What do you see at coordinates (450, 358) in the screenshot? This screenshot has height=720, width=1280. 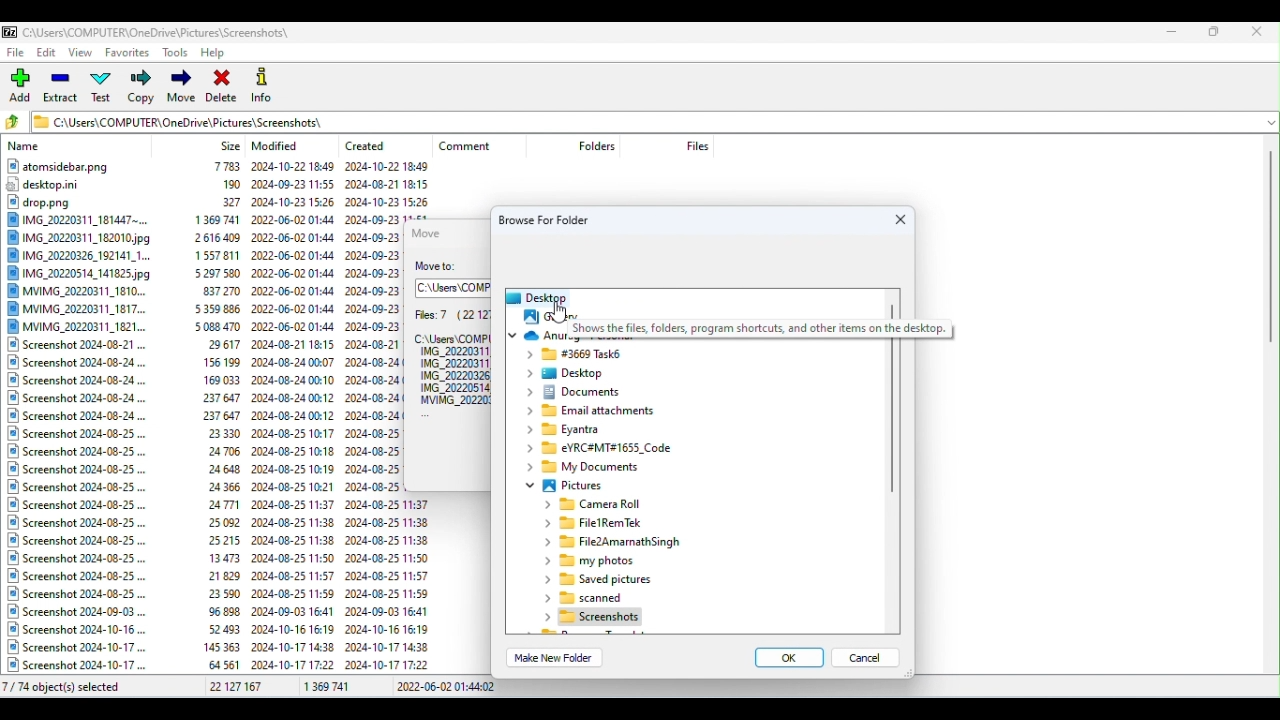 I see `Files` at bounding box center [450, 358].